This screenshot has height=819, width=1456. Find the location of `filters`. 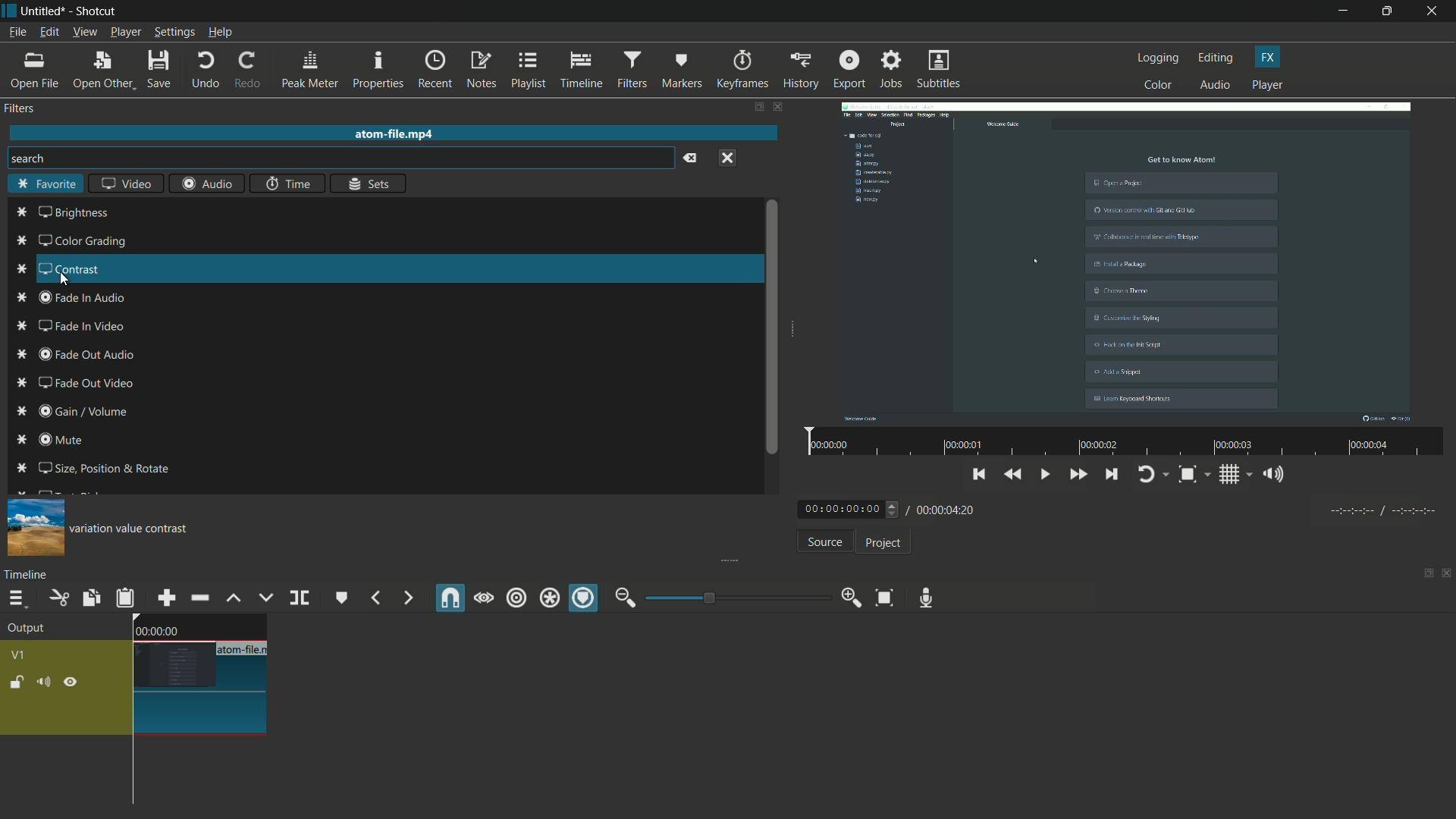

filters is located at coordinates (21, 108).